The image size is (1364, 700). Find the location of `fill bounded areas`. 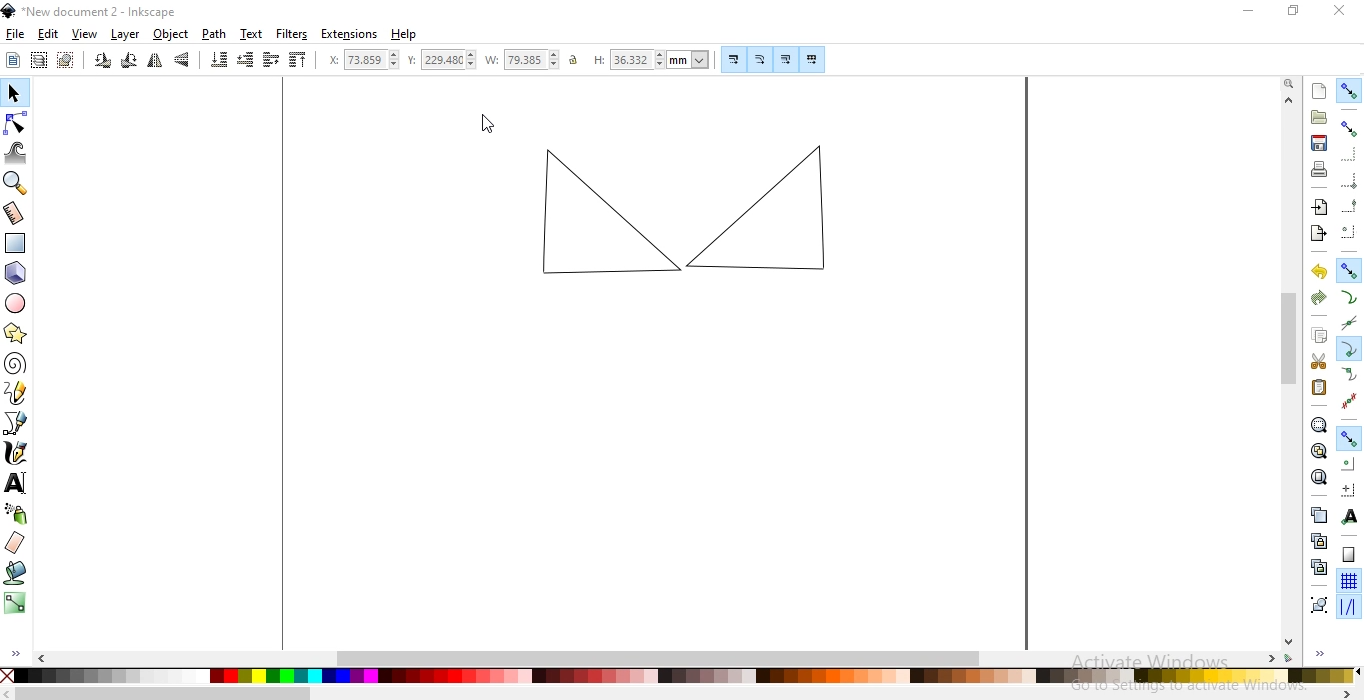

fill bounded areas is located at coordinates (17, 572).